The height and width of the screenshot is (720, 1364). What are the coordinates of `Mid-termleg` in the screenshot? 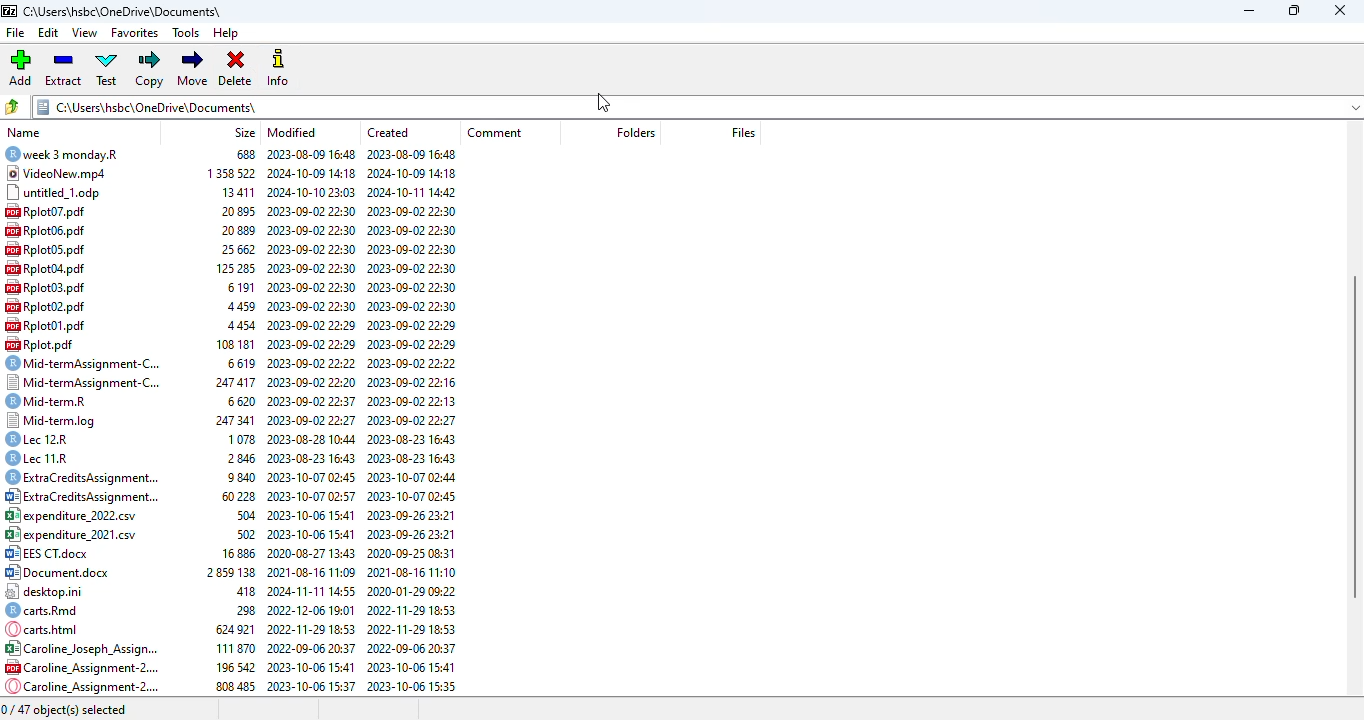 It's located at (56, 418).